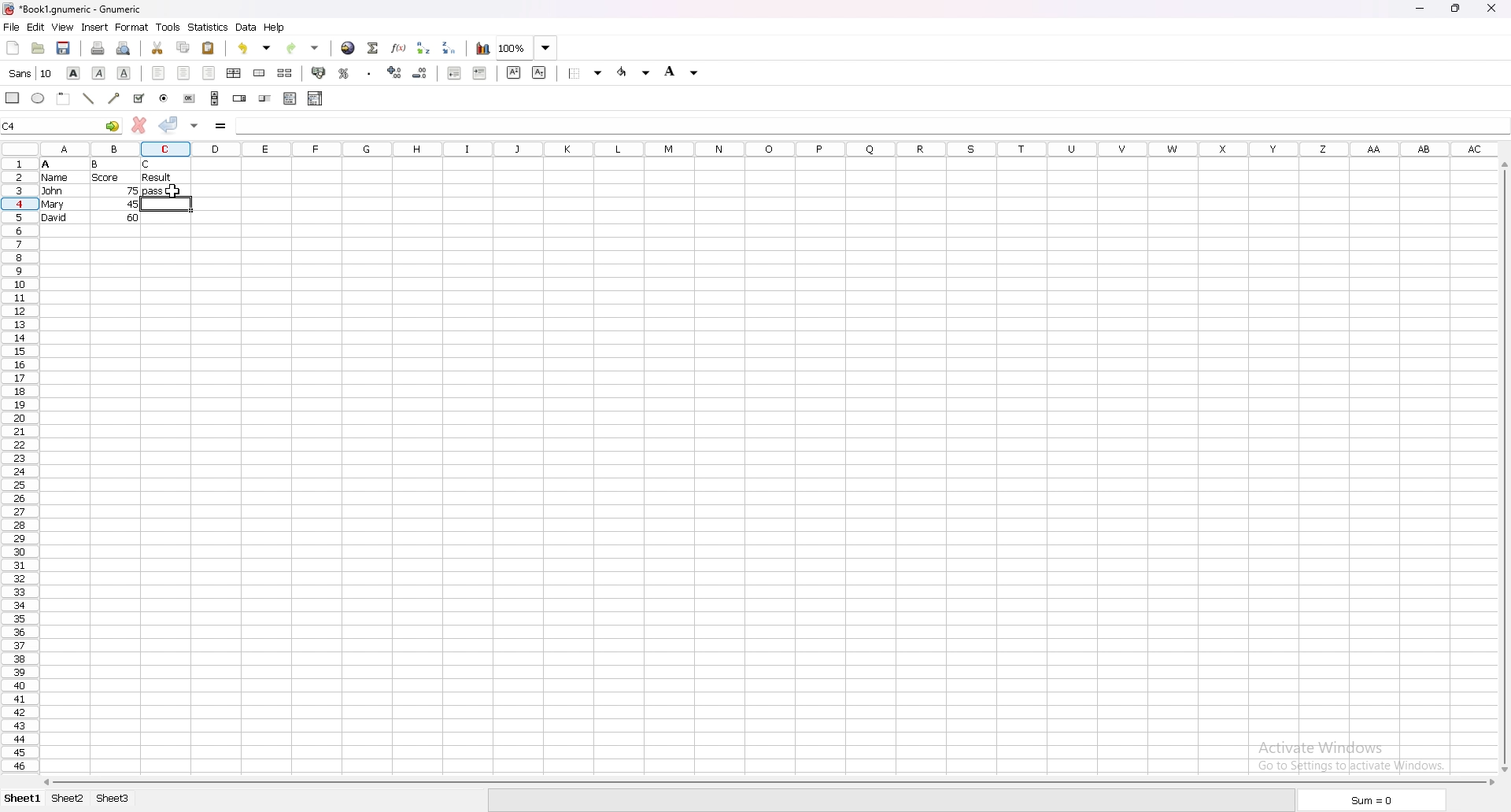 This screenshot has width=1511, height=812. I want to click on edit, so click(35, 28).